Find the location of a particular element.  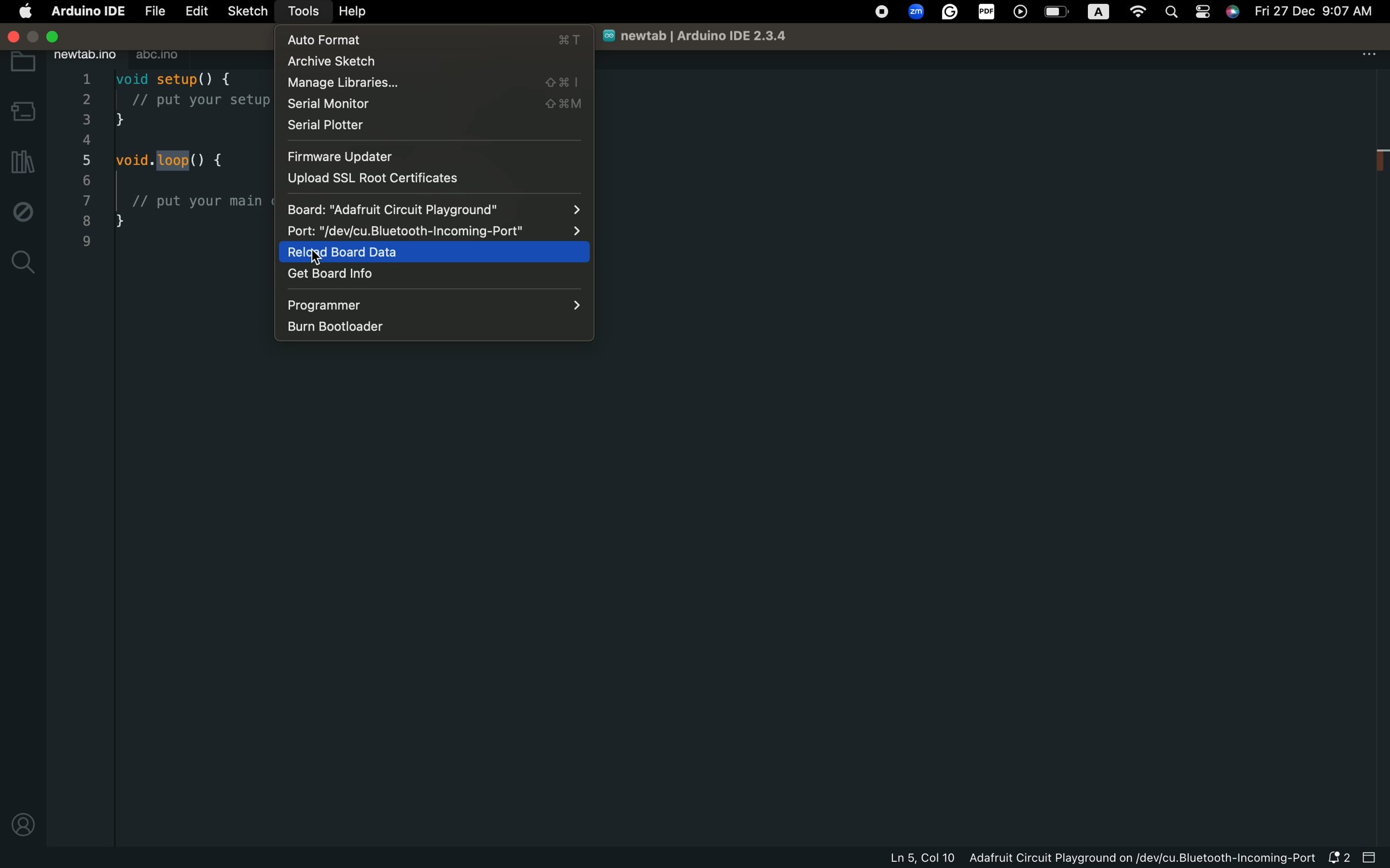

edit is located at coordinates (198, 11).